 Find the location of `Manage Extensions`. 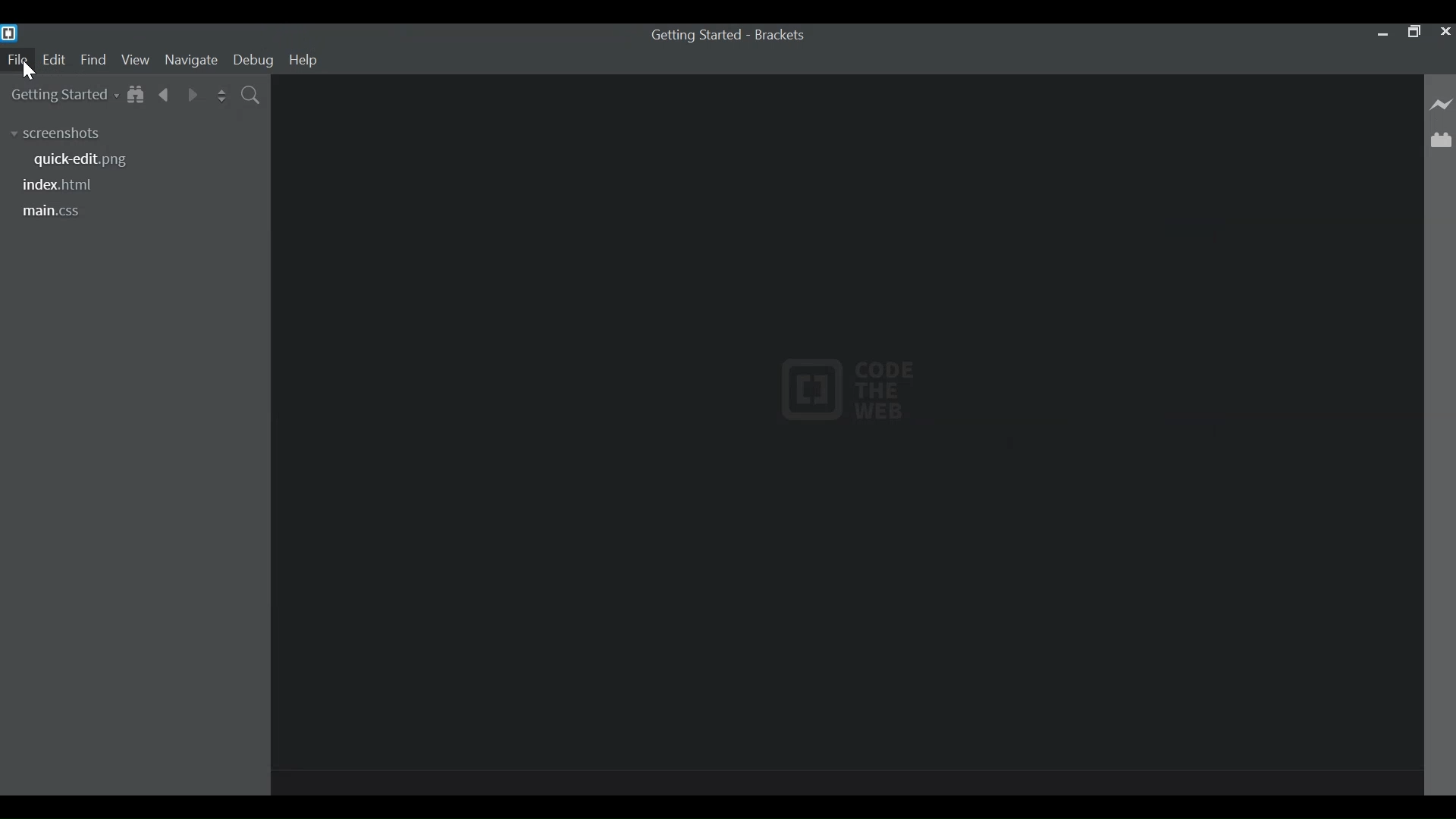

Manage Extensions is located at coordinates (1441, 140).